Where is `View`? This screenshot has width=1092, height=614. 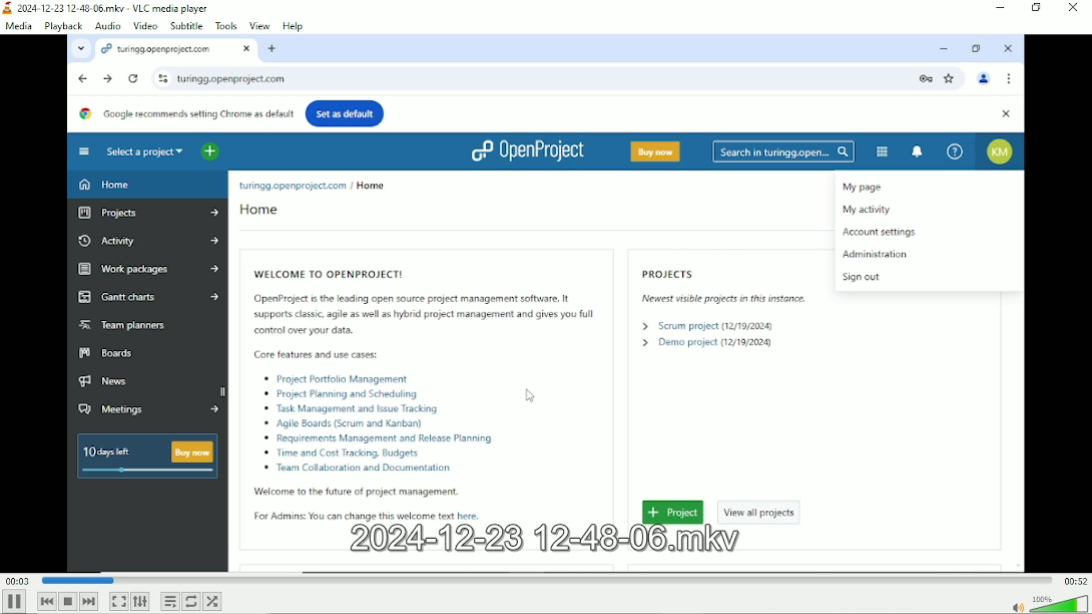 View is located at coordinates (259, 24).